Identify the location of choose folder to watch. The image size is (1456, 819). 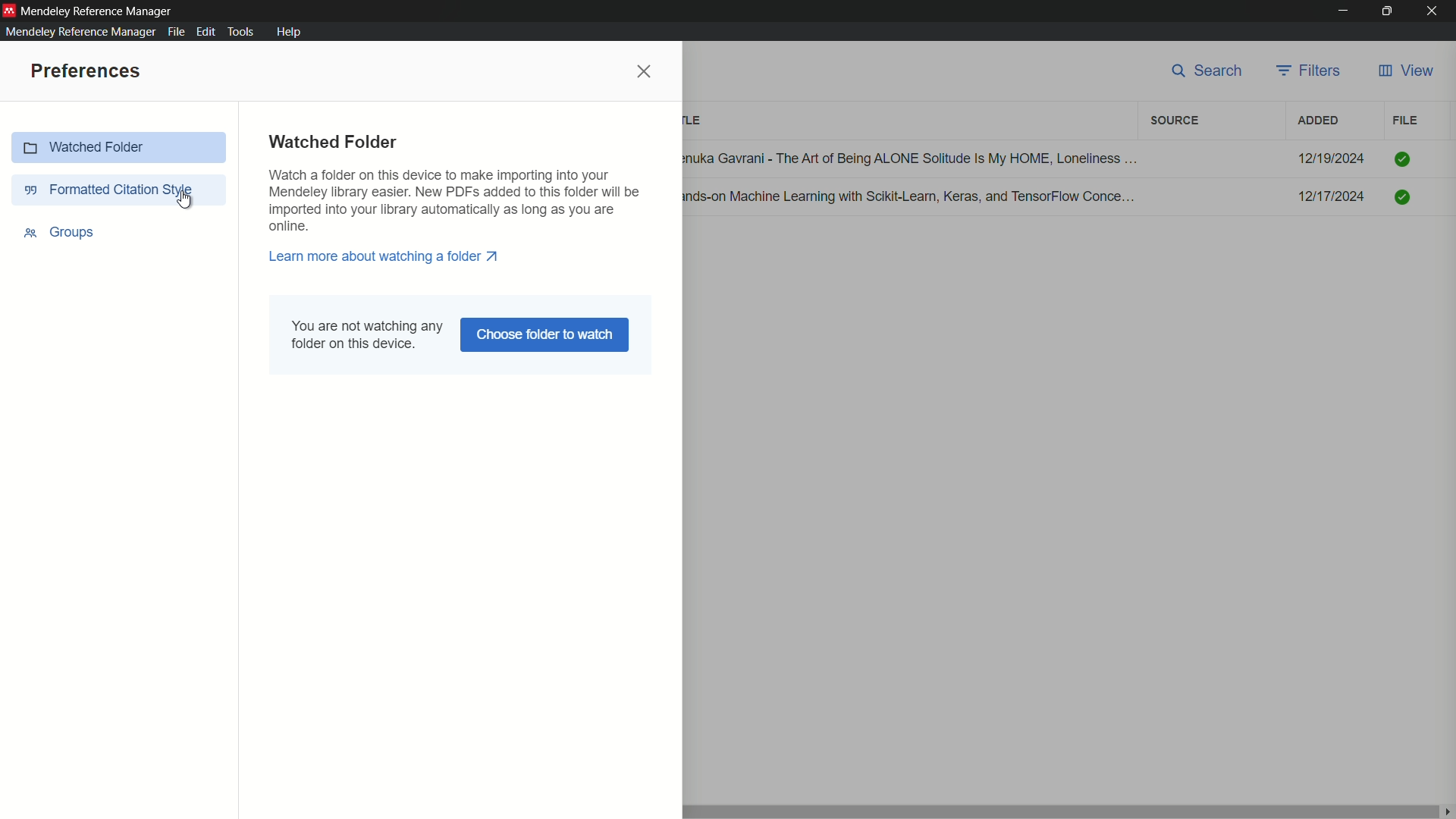
(545, 335).